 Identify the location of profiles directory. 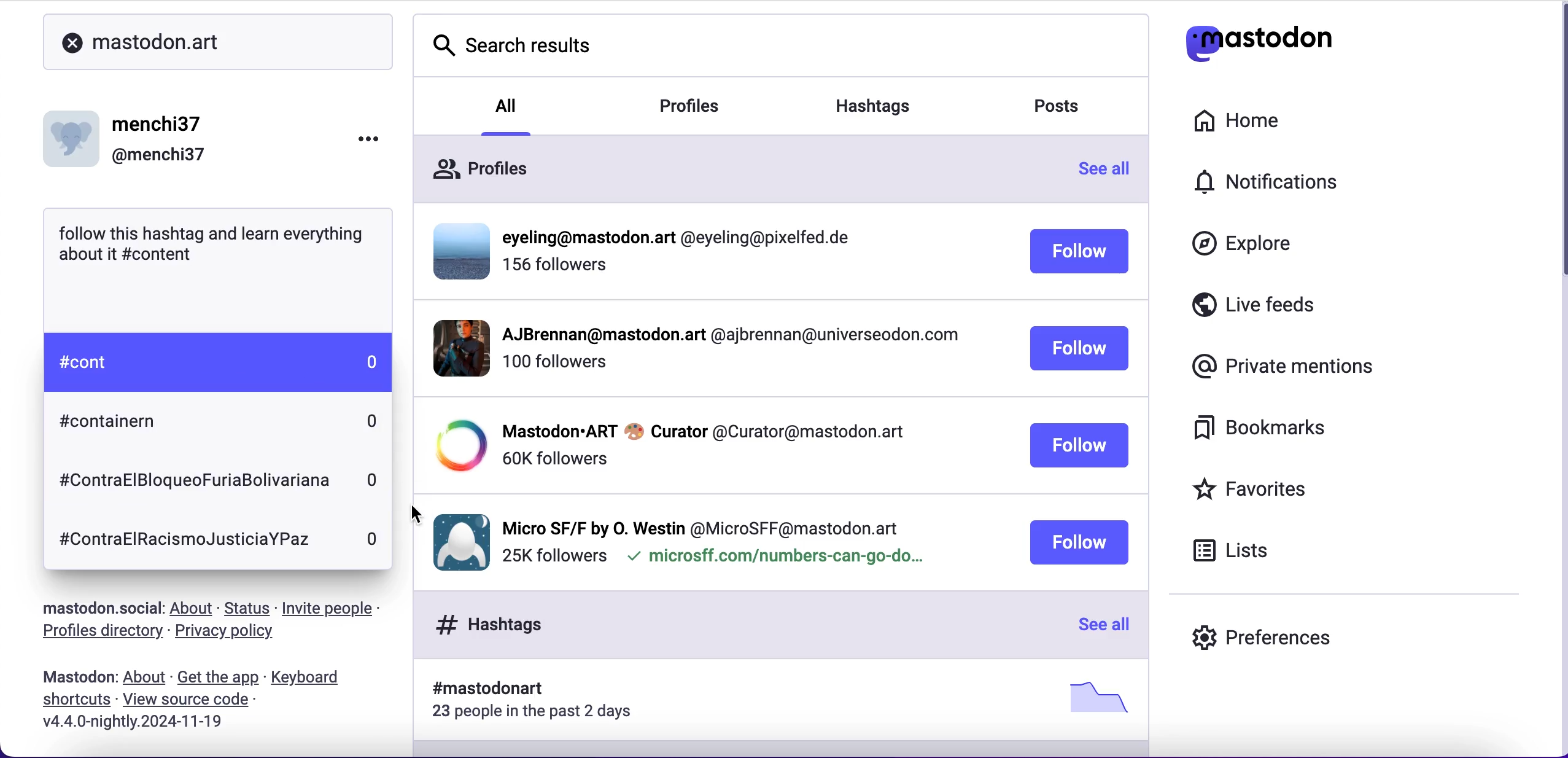
(98, 633).